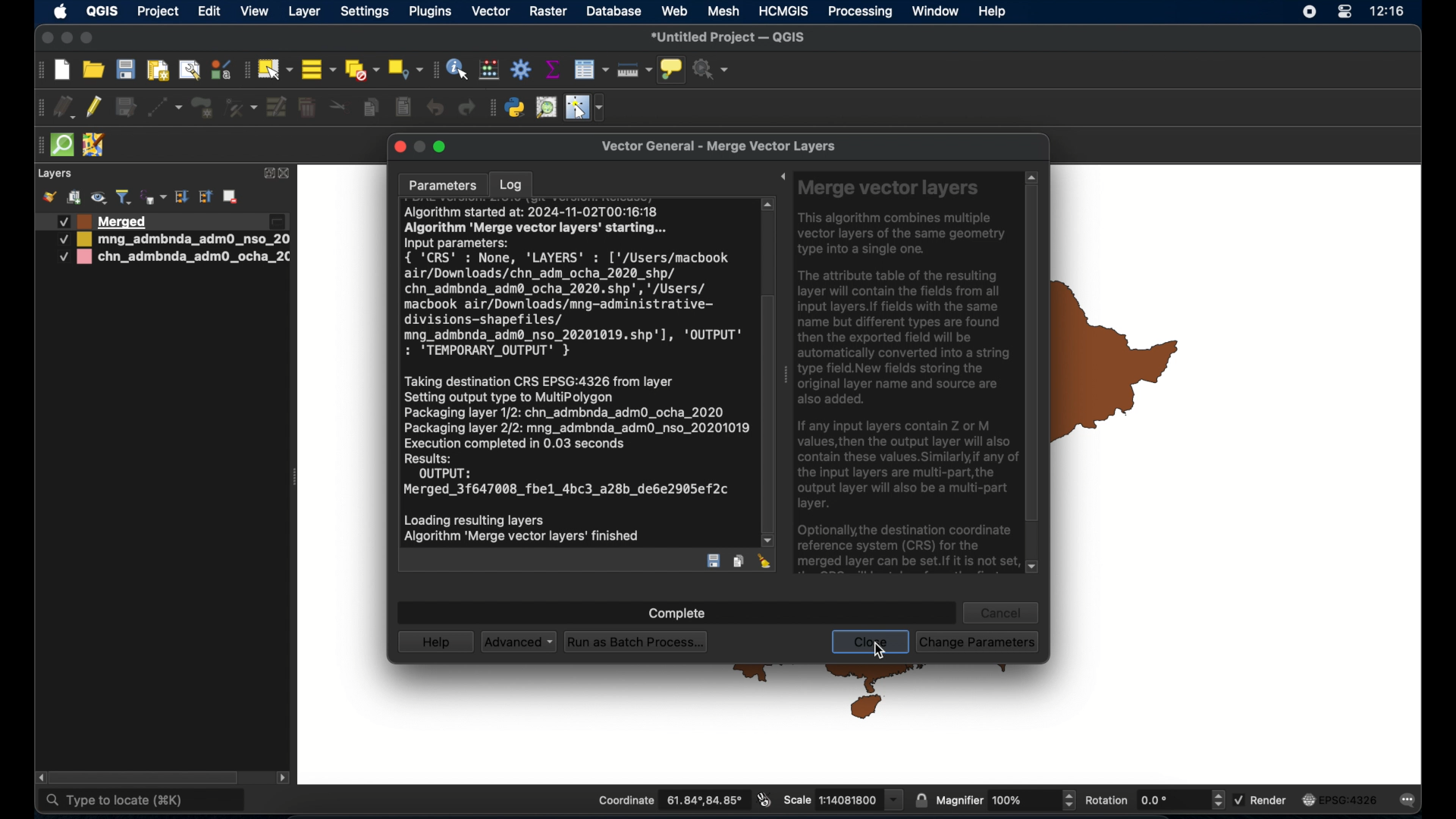  Describe the element at coordinates (319, 71) in the screenshot. I see `select all features` at that location.